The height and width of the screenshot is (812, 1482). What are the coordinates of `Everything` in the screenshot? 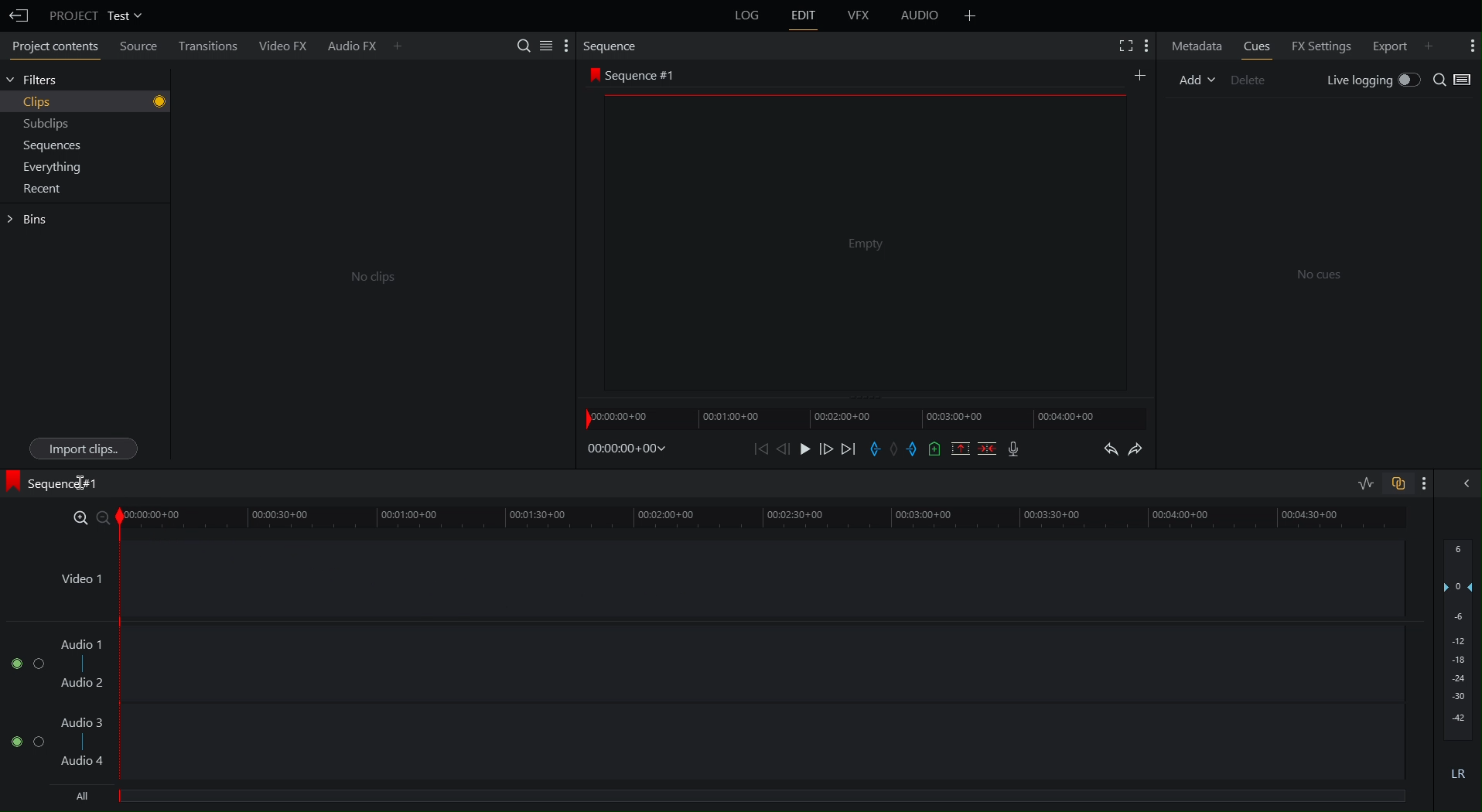 It's located at (48, 167).